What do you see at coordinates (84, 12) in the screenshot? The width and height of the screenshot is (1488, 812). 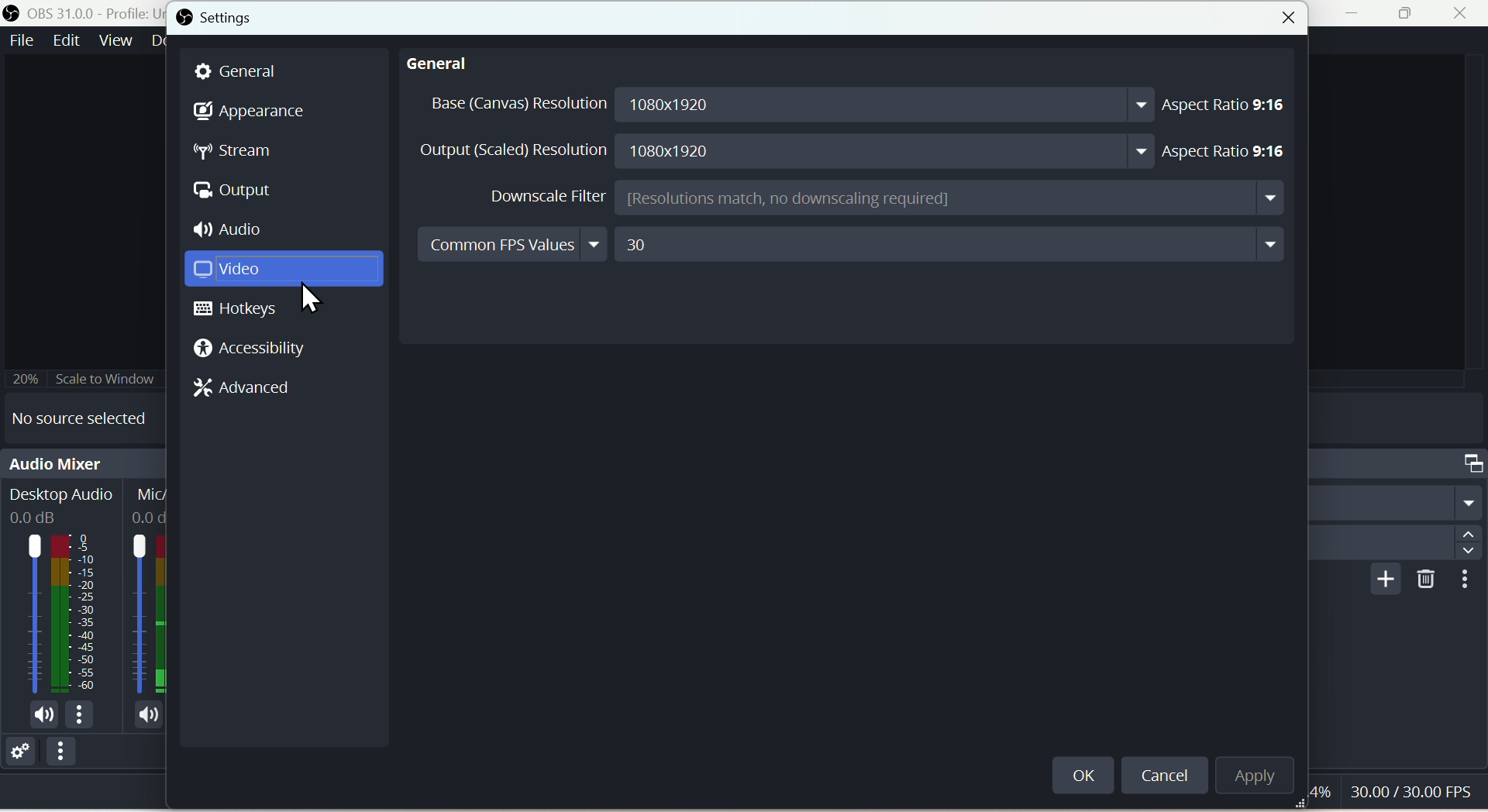 I see `OBS 31.0 .0 profile untitled scenes new scenes` at bounding box center [84, 12].